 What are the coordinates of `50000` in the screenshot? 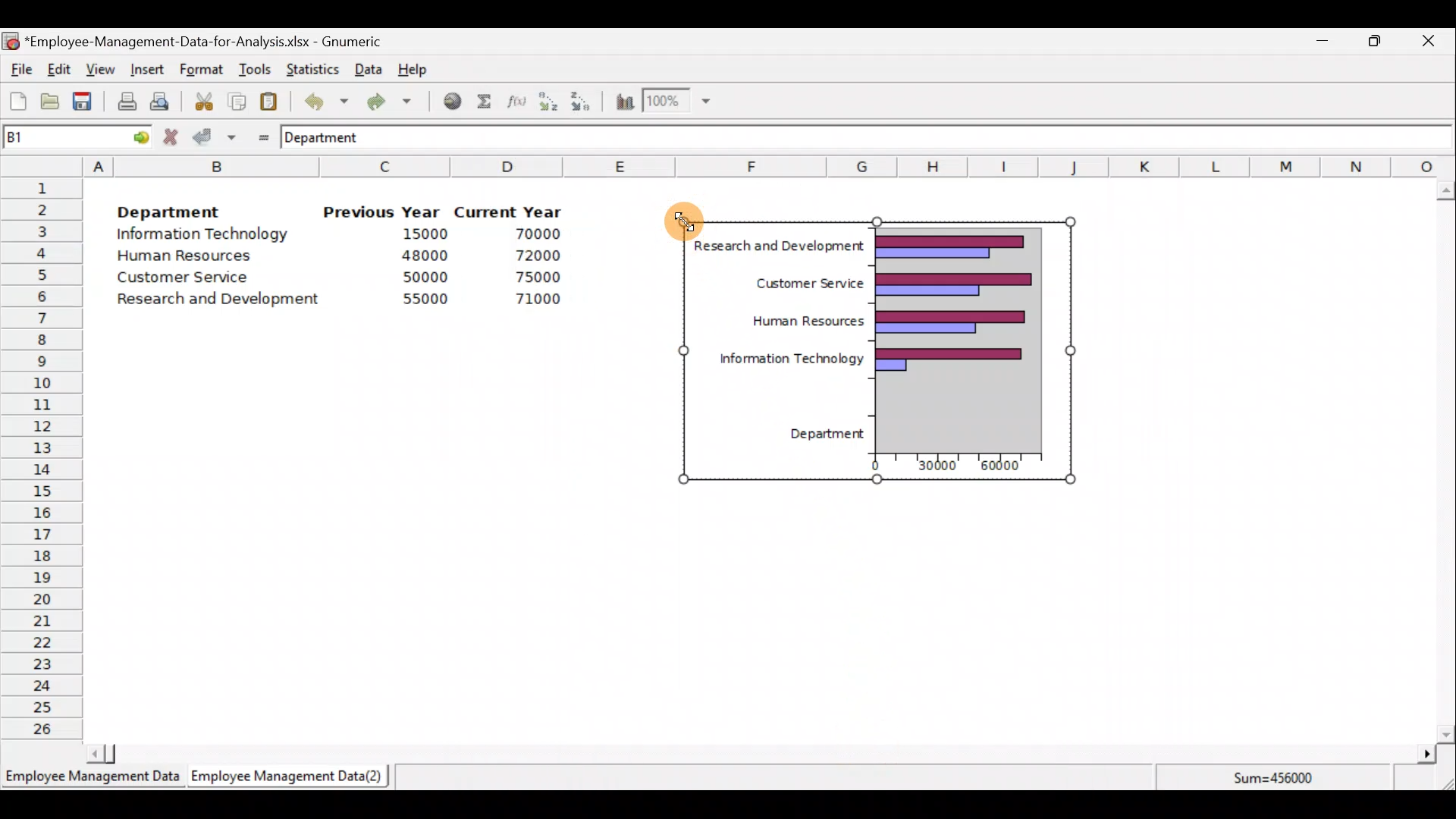 It's located at (429, 277).